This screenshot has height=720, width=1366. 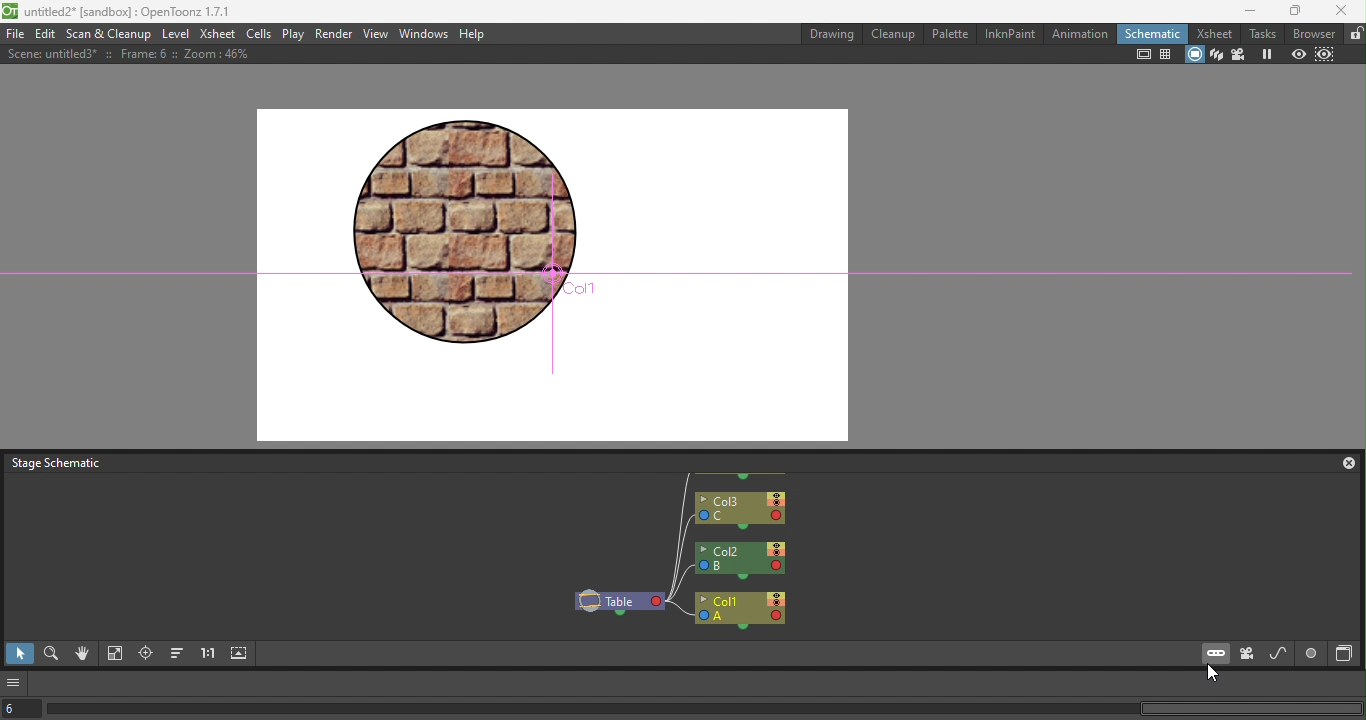 What do you see at coordinates (115, 655) in the screenshot?
I see `Fit to window` at bounding box center [115, 655].